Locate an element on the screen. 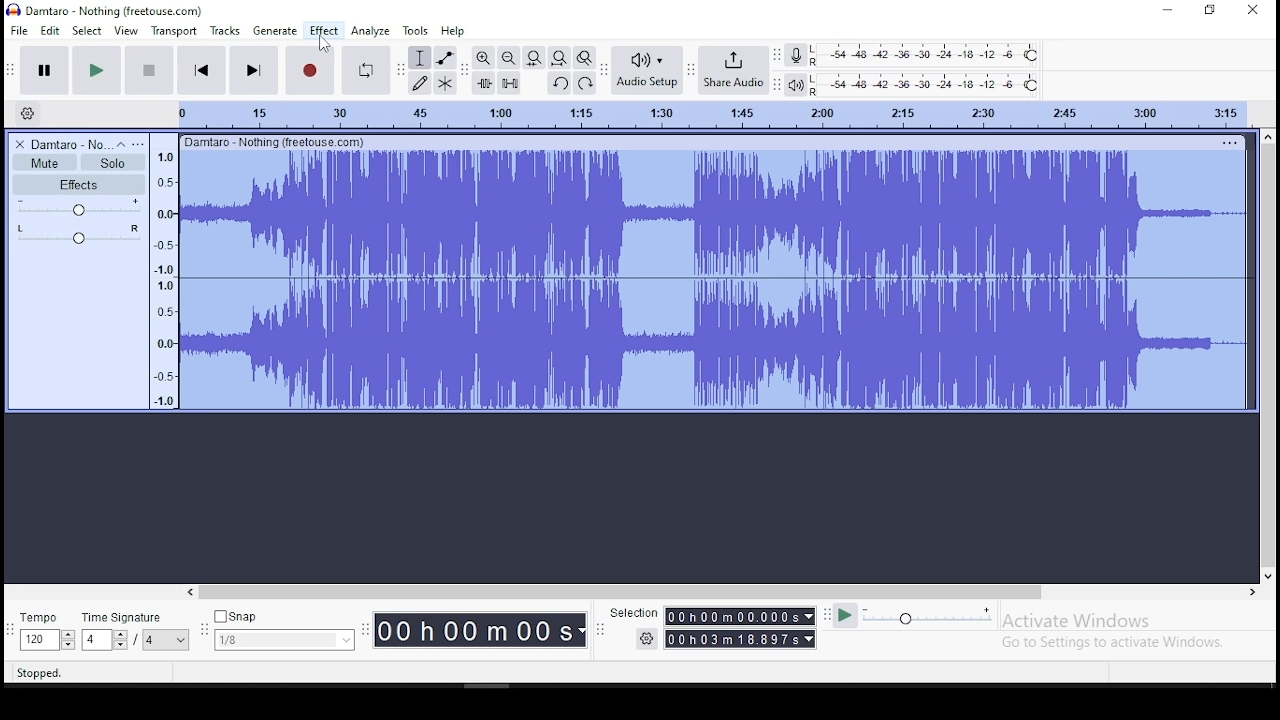  generate is located at coordinates (274, 30).